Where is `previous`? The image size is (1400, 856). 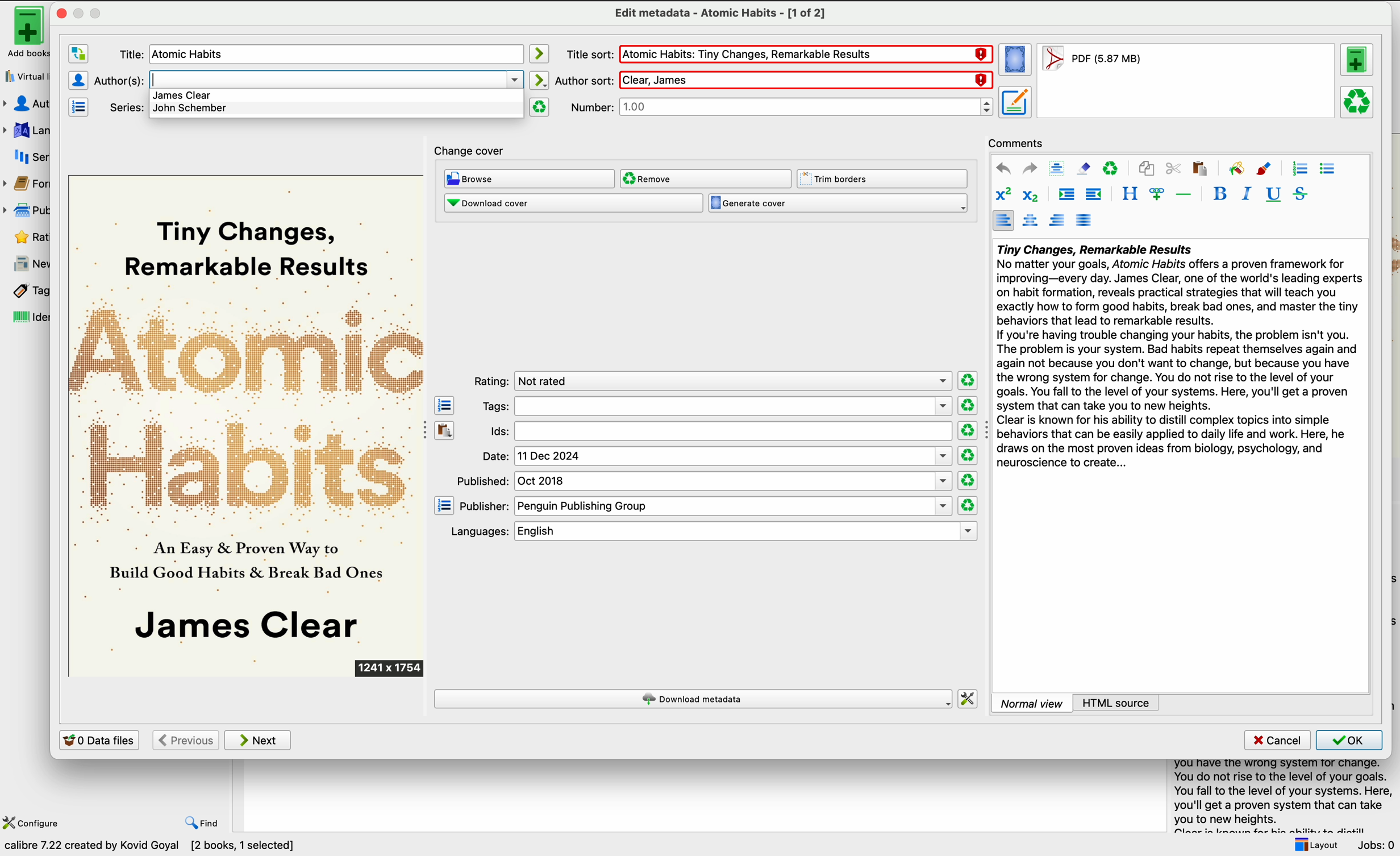
previous is located at coordinates (185, 740).